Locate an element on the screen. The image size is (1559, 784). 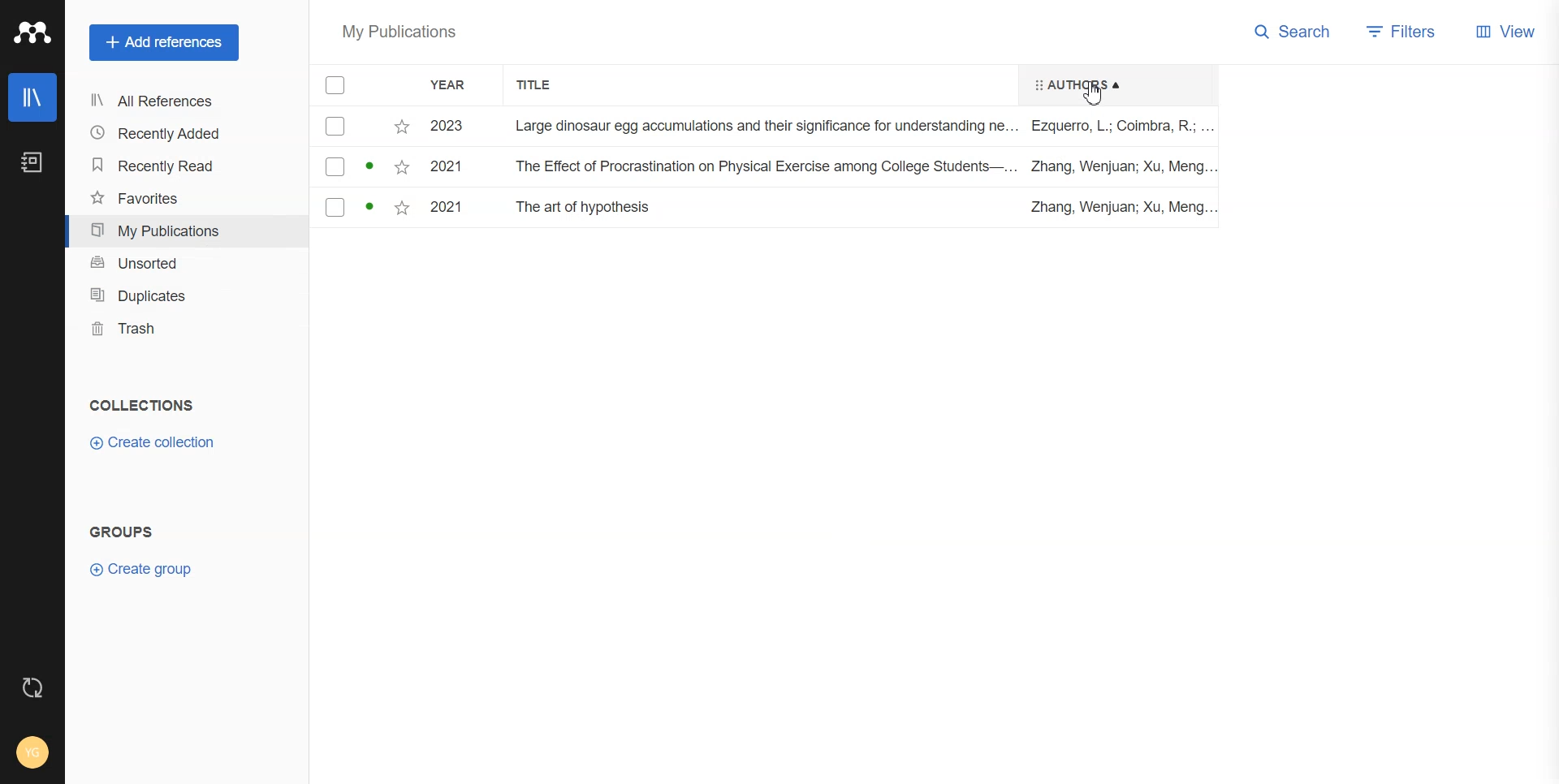
Auto sync is located at coordinates (31, 687).